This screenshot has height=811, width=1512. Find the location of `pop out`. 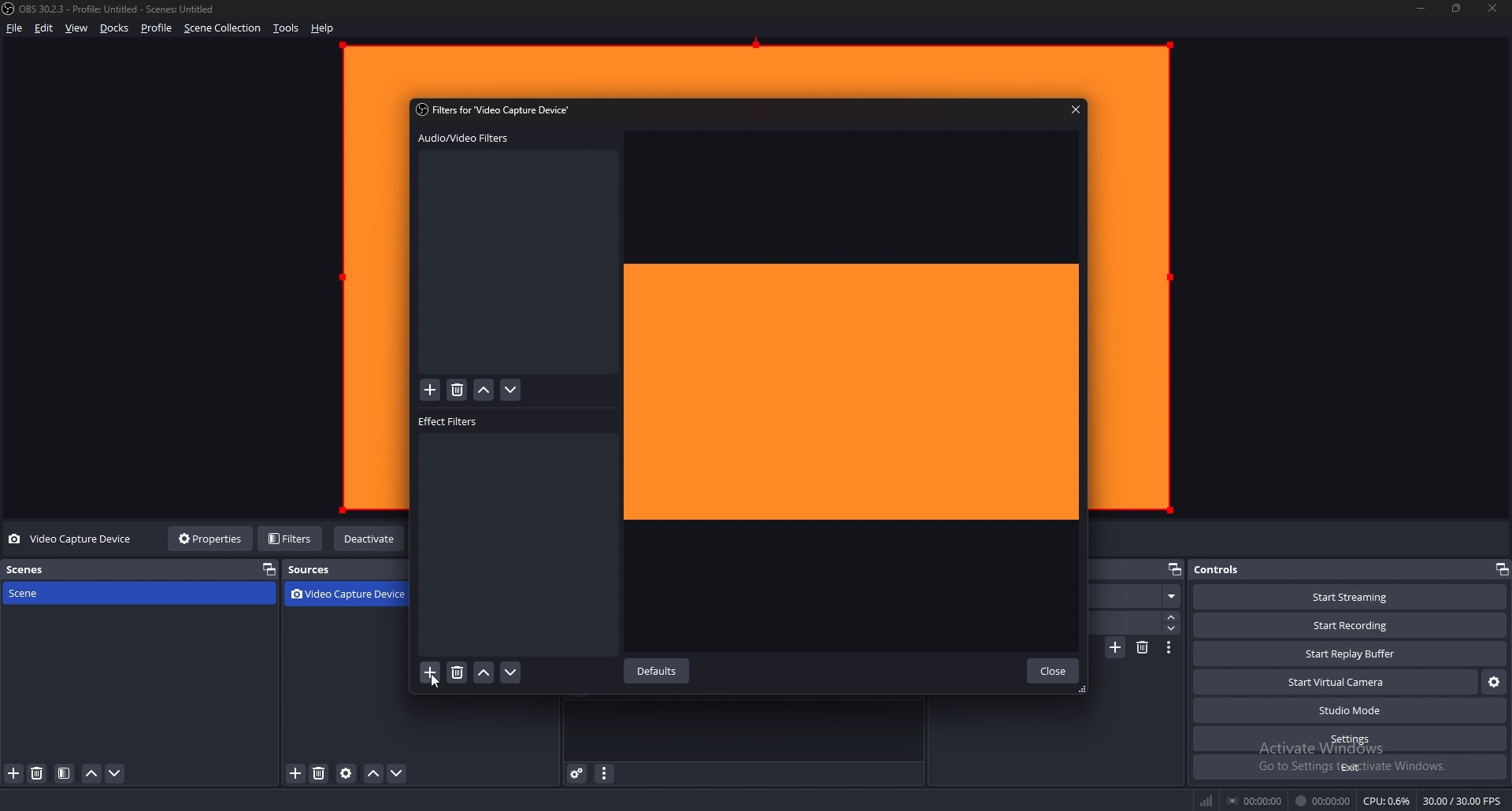

pop out is located at coordinates (268, 570).